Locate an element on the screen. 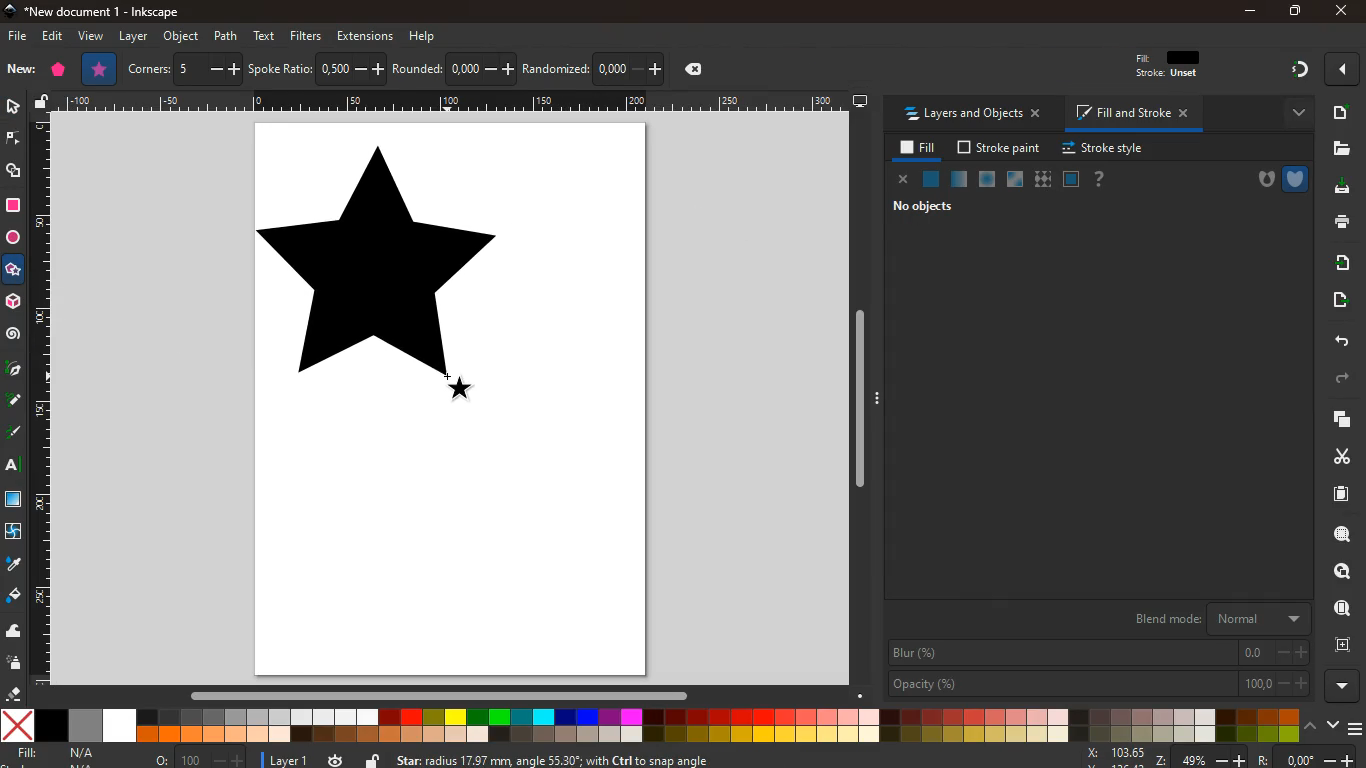  new is located at coordinates (20, 69).